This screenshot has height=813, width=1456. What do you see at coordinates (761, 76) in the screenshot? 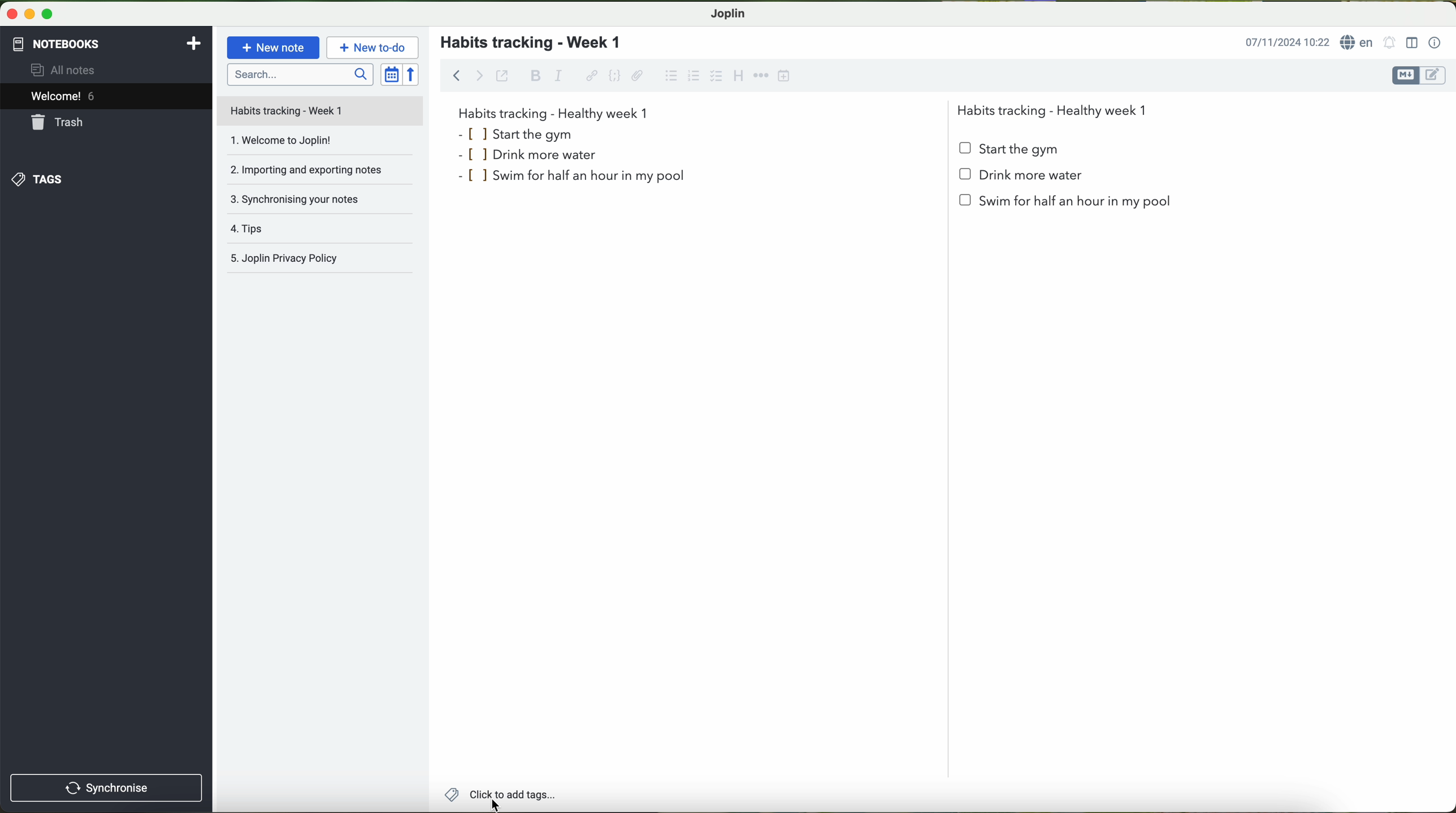
I see `horizontal rule` at bounding box center [761, 76].